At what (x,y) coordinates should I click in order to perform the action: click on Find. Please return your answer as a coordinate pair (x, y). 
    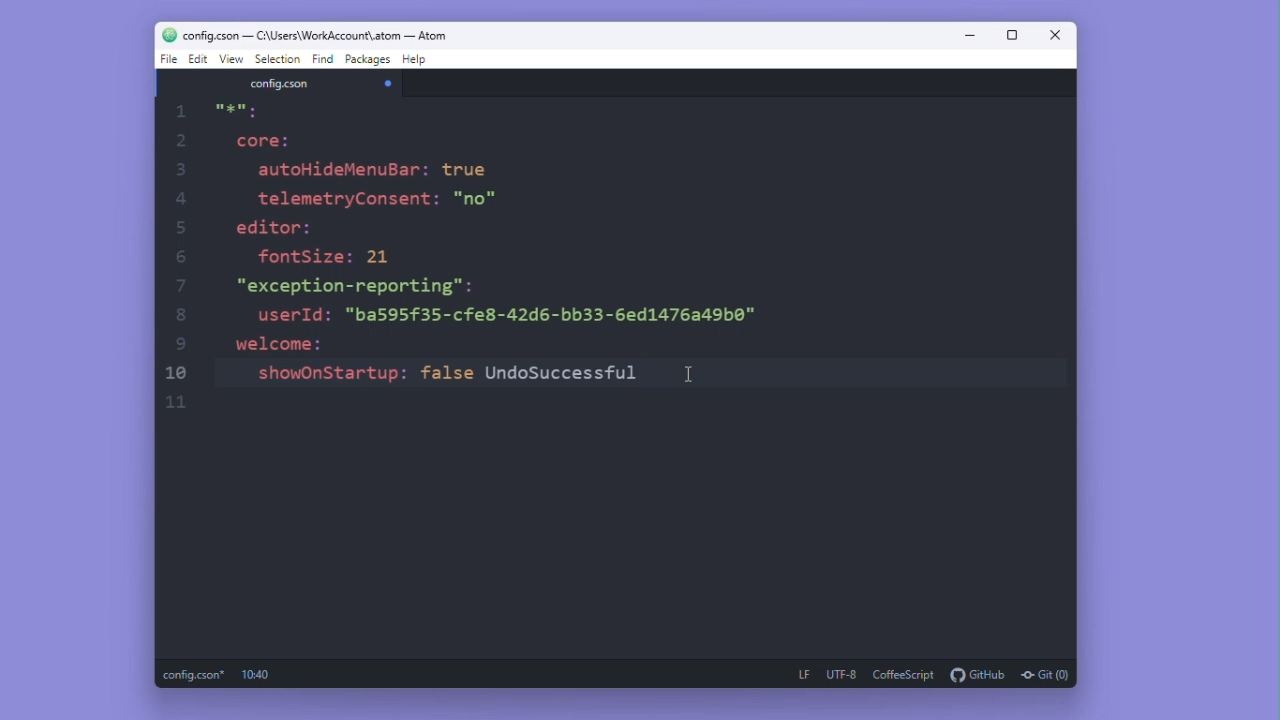
    Looking at the image, I should click on (323, 60).